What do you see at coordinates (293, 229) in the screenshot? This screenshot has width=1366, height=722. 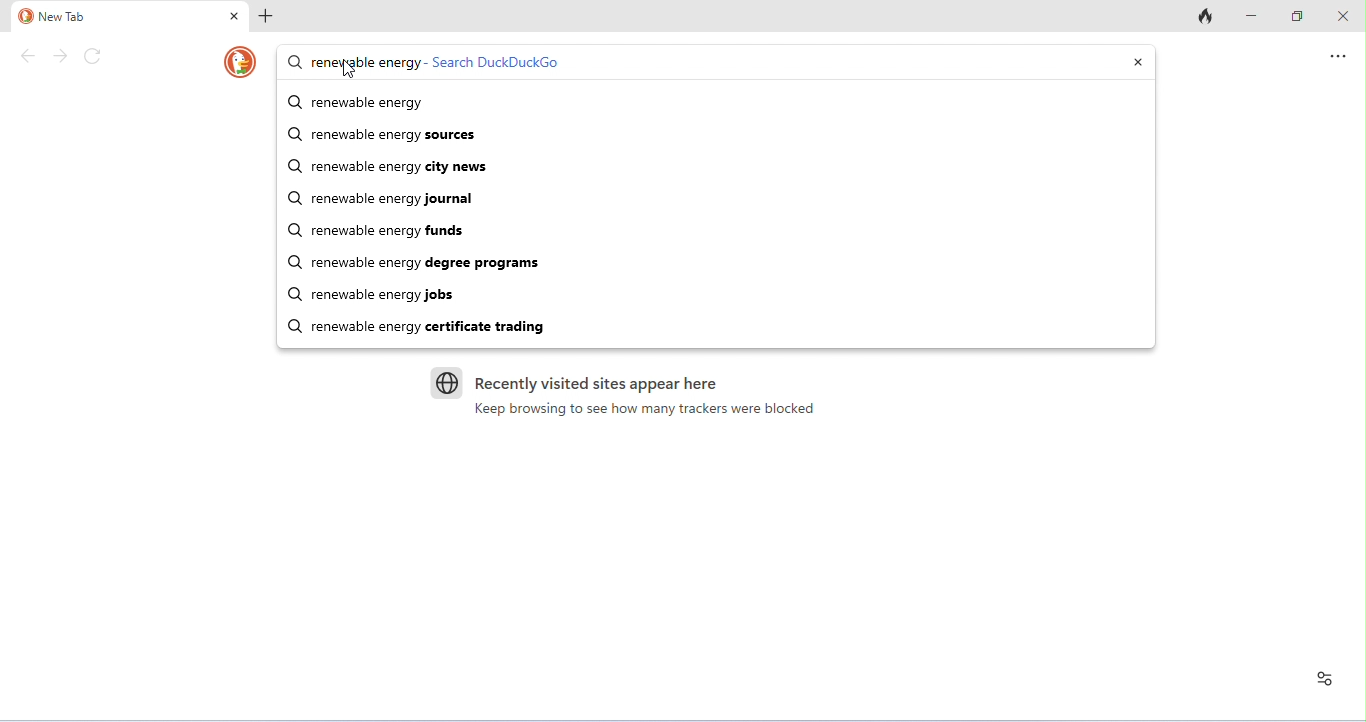 I see `search icon` at bounding box center [293, 229].